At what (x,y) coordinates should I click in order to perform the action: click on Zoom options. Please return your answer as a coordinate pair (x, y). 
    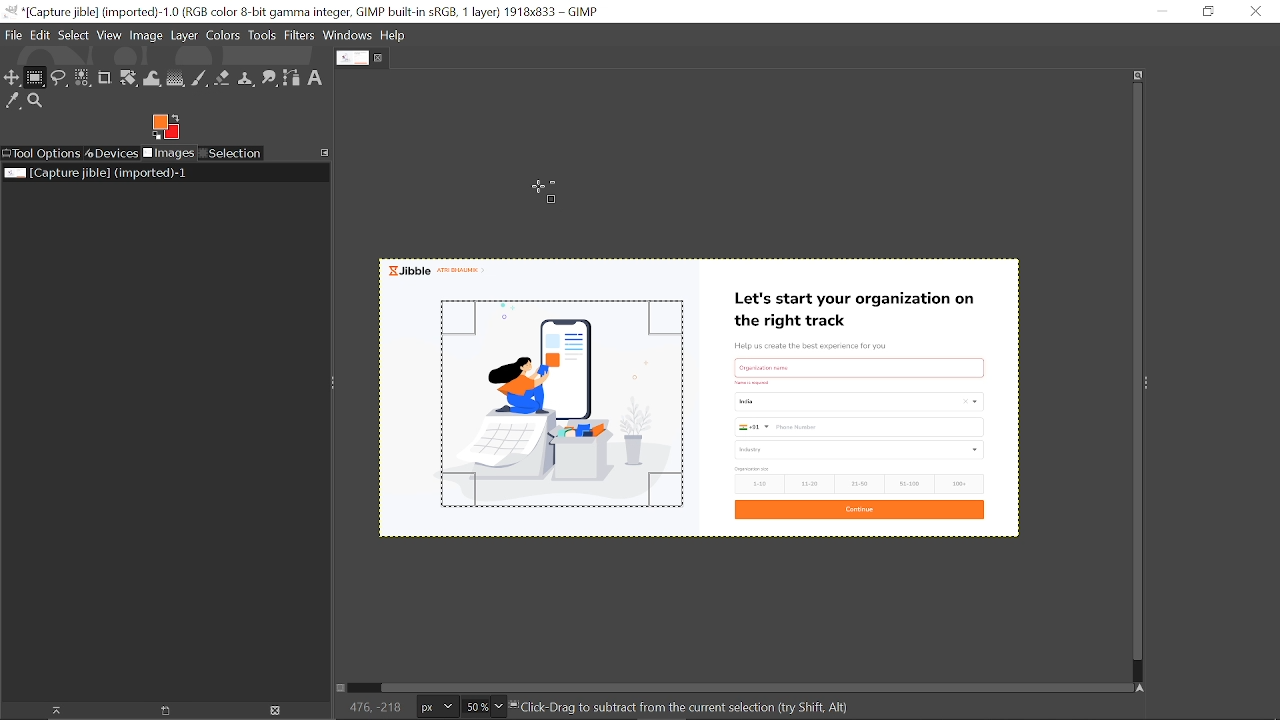
    Looking at the image, I should click on (501, 707).